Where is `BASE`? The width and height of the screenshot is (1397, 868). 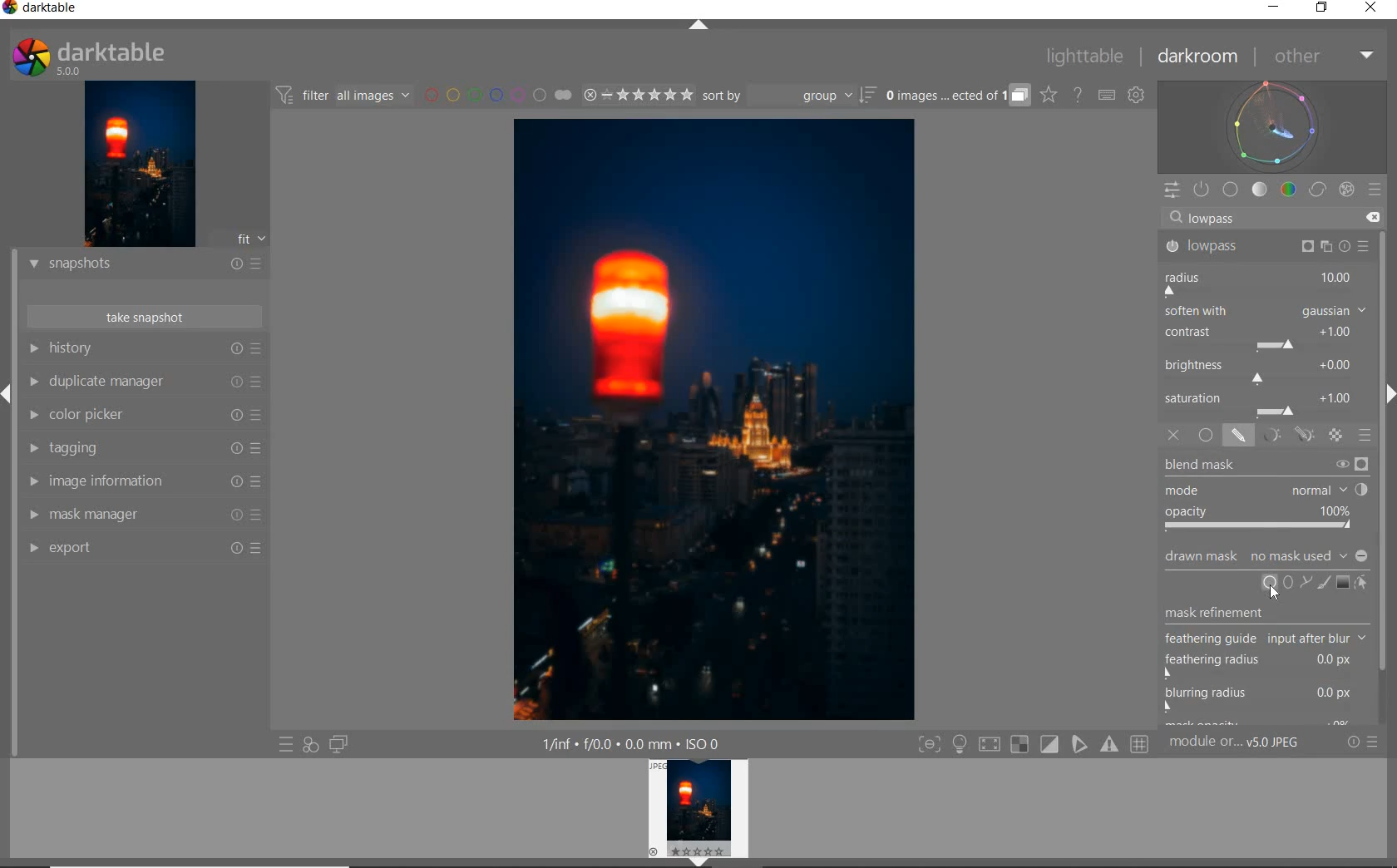
BASE is located at coordinates (1232, 190).